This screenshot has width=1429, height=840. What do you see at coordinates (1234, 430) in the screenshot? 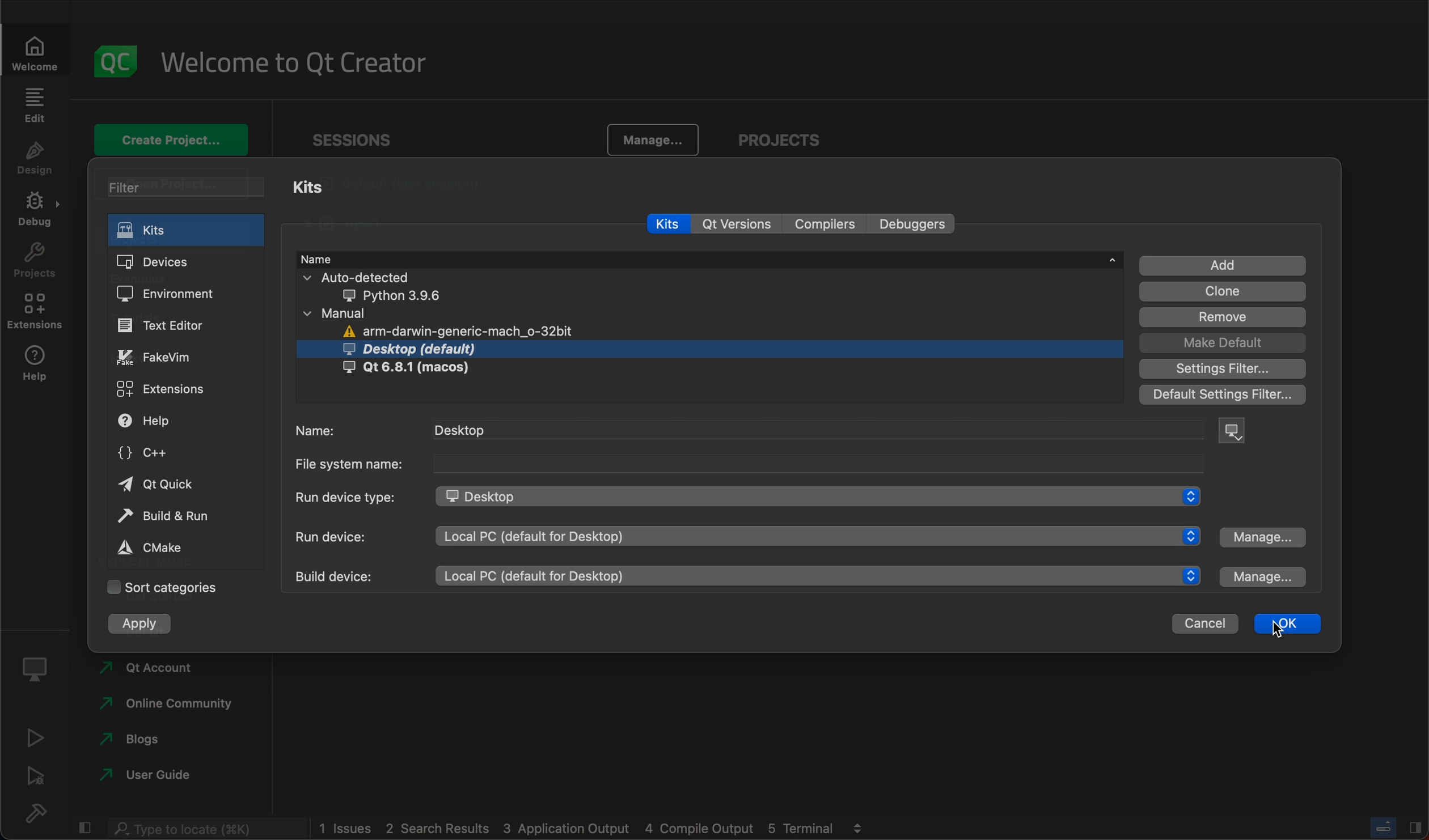
I see `device` at bounding box center [1234, 430].